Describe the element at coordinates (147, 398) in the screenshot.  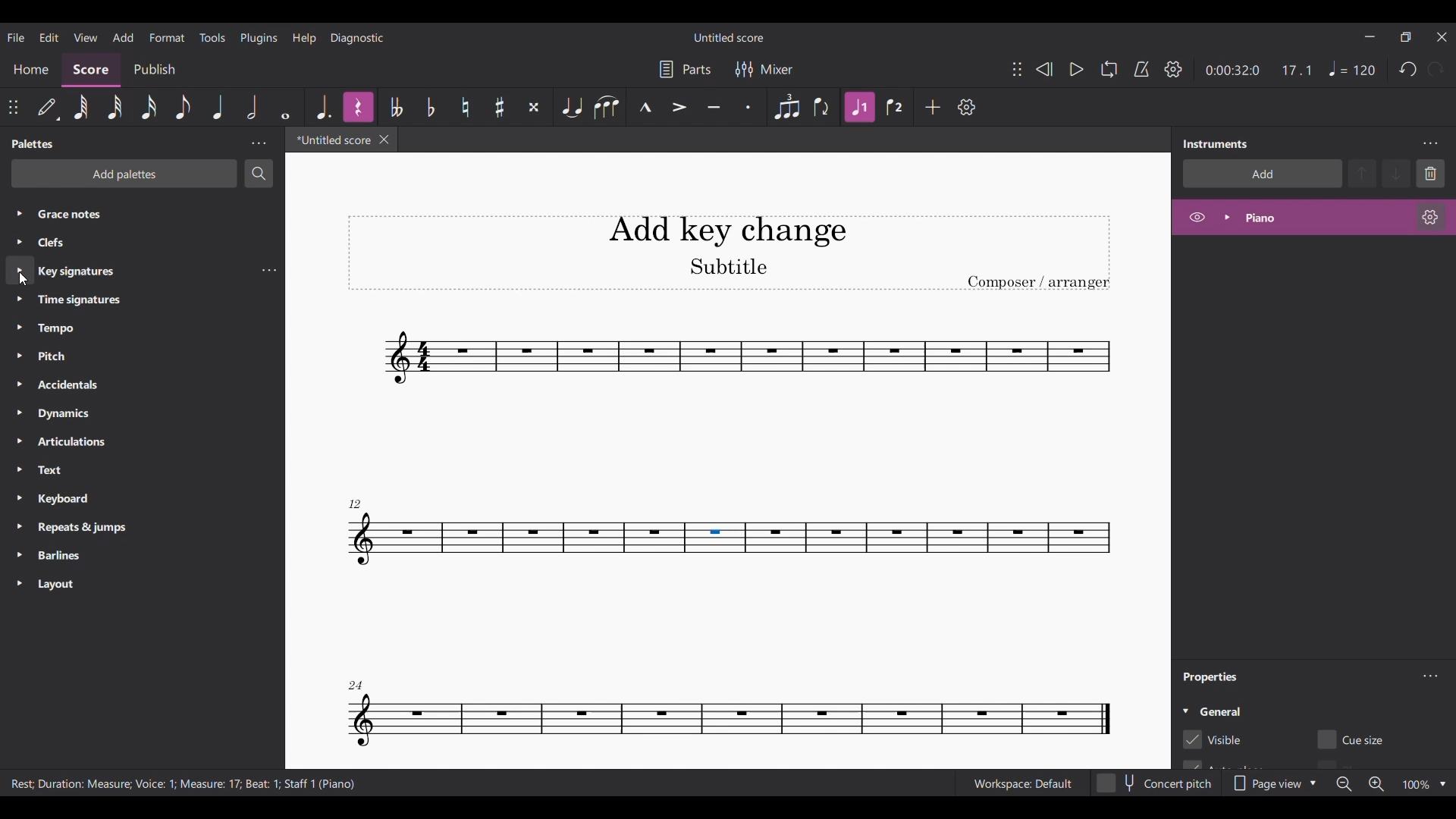
I see `Palettes listed under all Palettes` at that location.